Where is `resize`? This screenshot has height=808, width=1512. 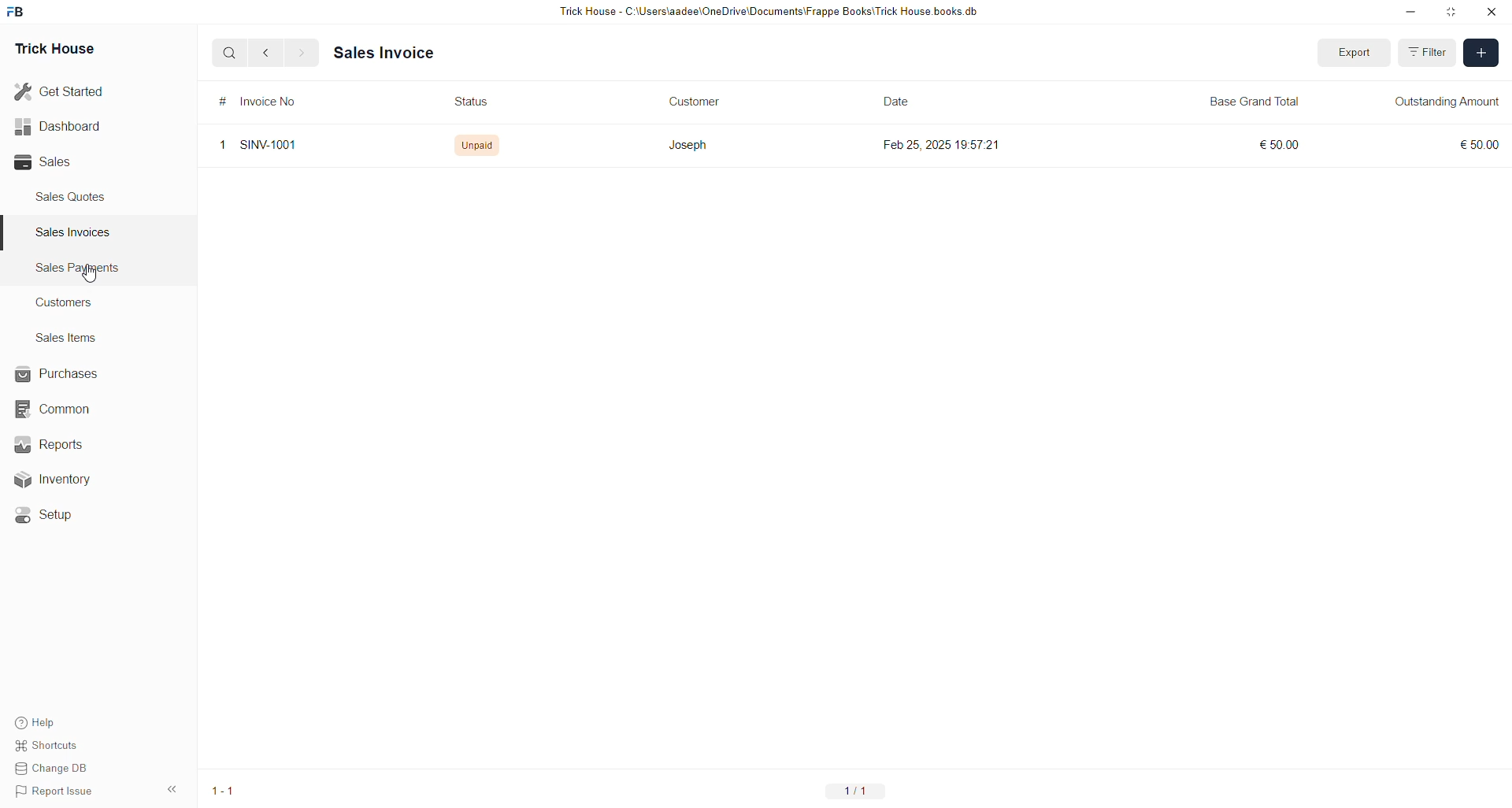 resize is located at coordinates (1452, 12).